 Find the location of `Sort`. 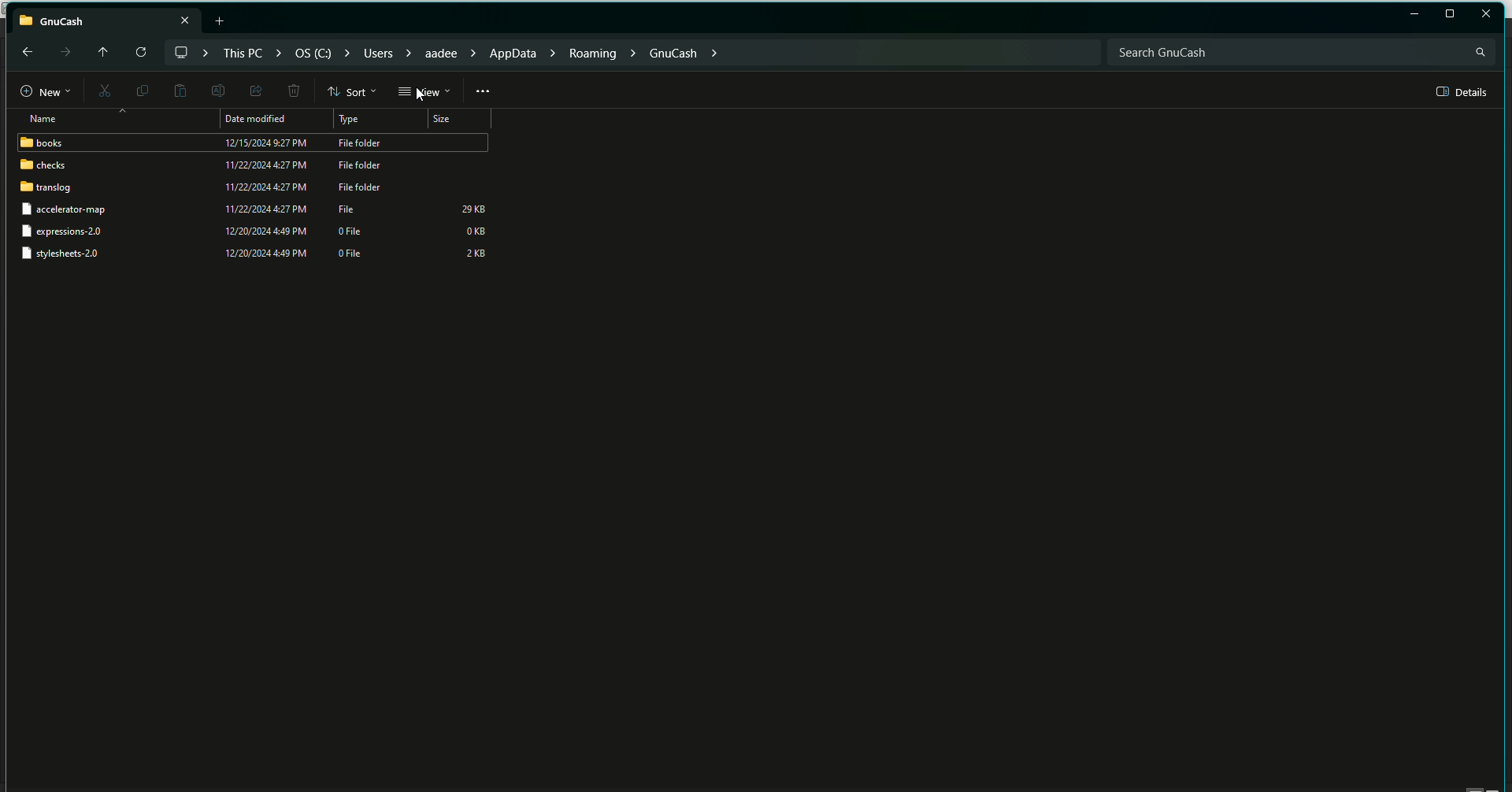

Sort is located at coordinates (353, 91).